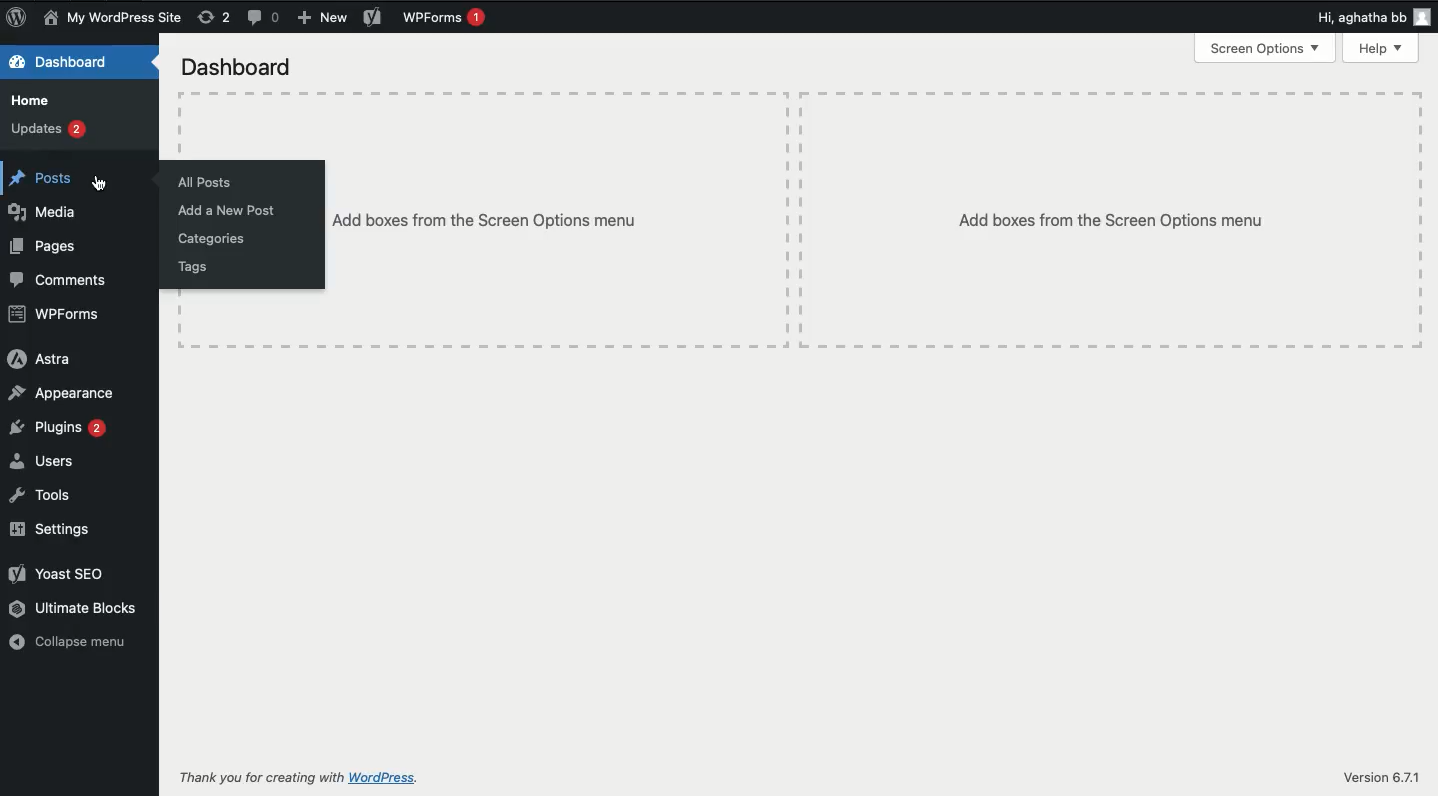 Image resolution: width=1438 pixels, height=796 pixels. Describe the element at coordinates (43, 494) in the screenshot. I see `Tools` at that location.